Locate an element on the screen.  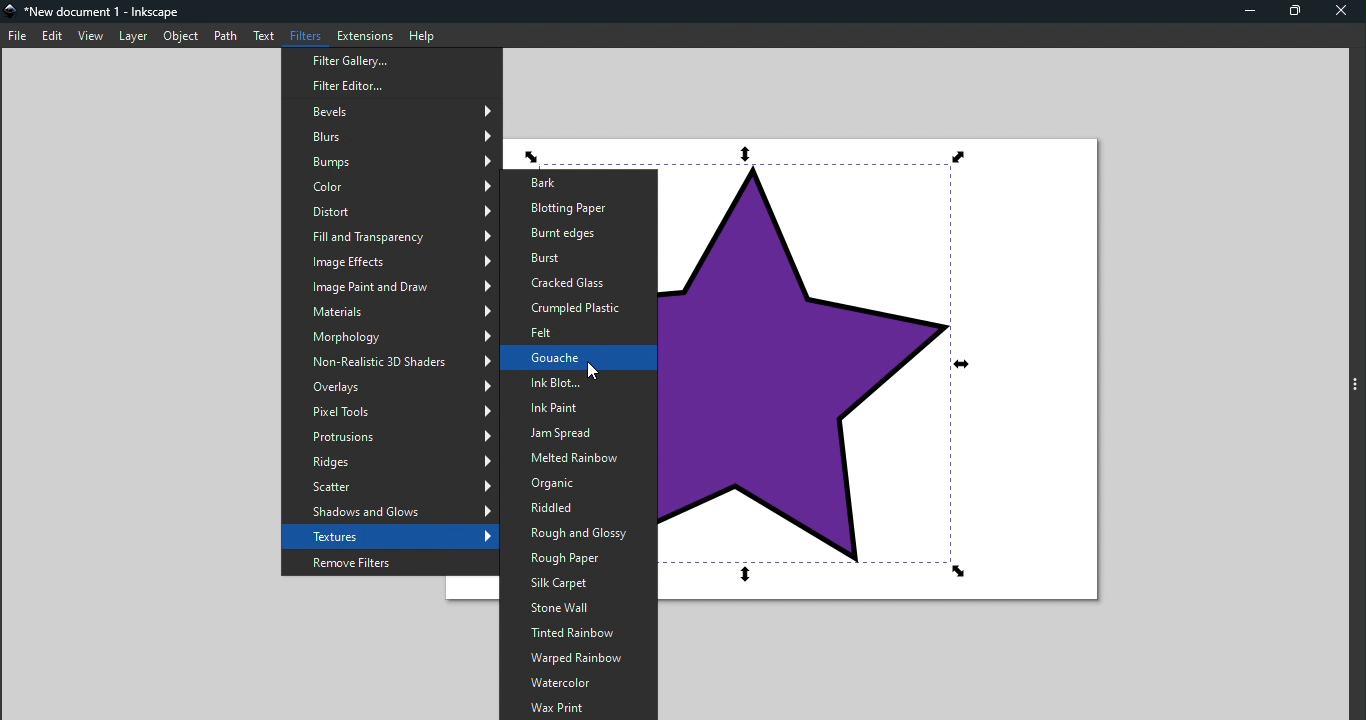
Bumps is located at coordinates (390, 163).